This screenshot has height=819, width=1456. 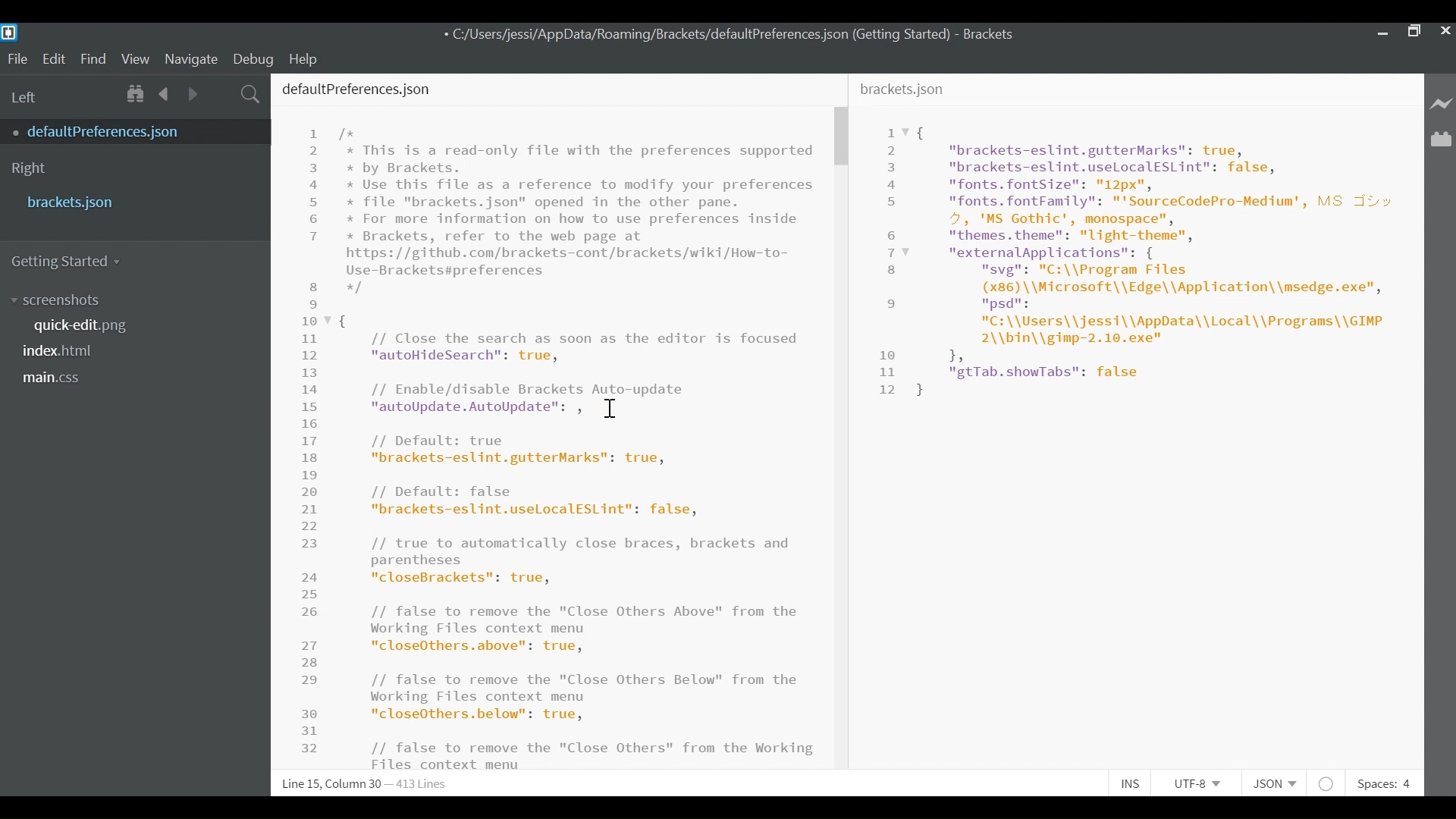 I want to click on Toggle Insert or Overwrite, so click(x=1131, y=785).